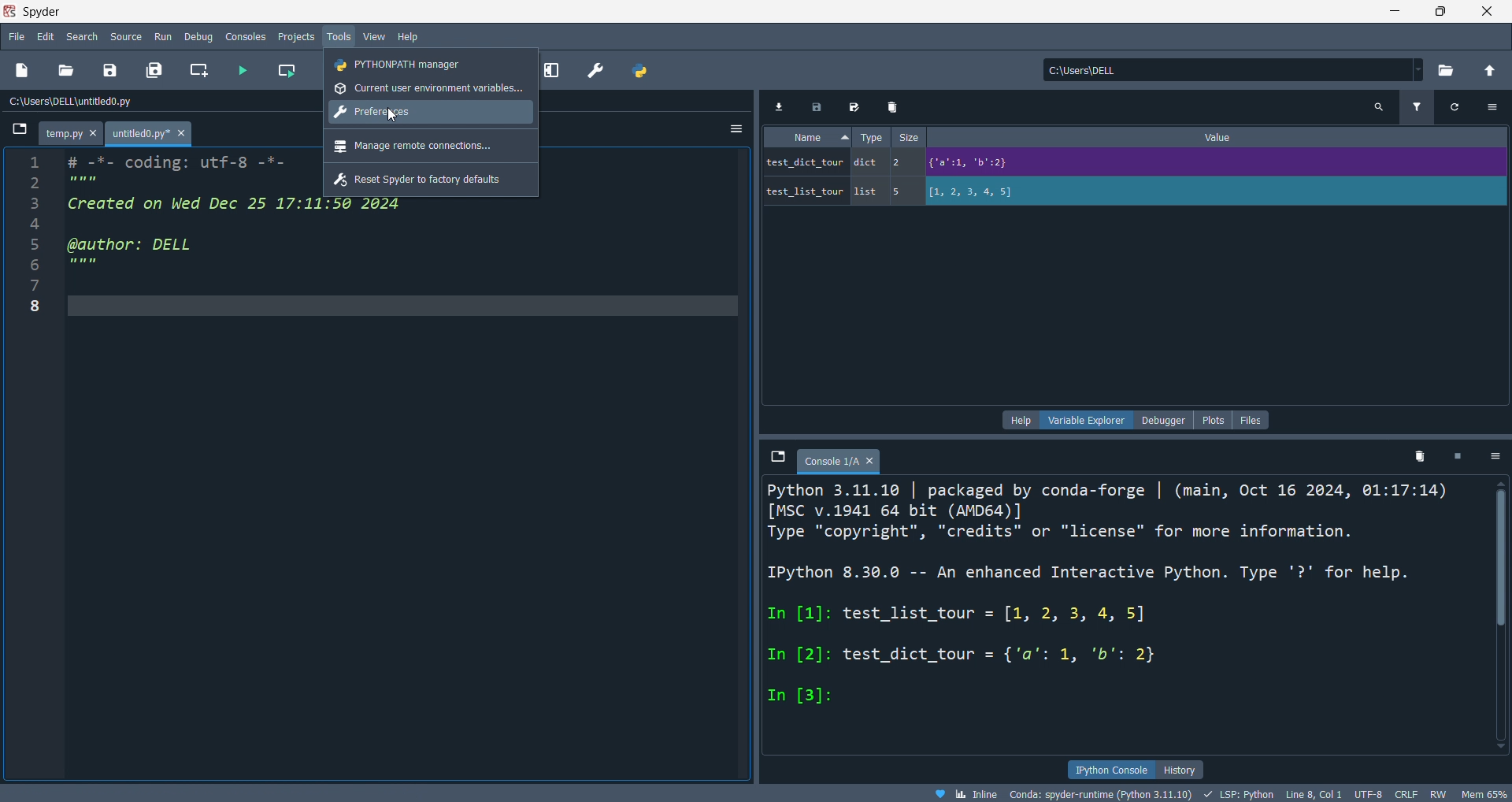 The width and height of the screenshot is (1512, 802). I want to click on select directory, so click(1446, 70).